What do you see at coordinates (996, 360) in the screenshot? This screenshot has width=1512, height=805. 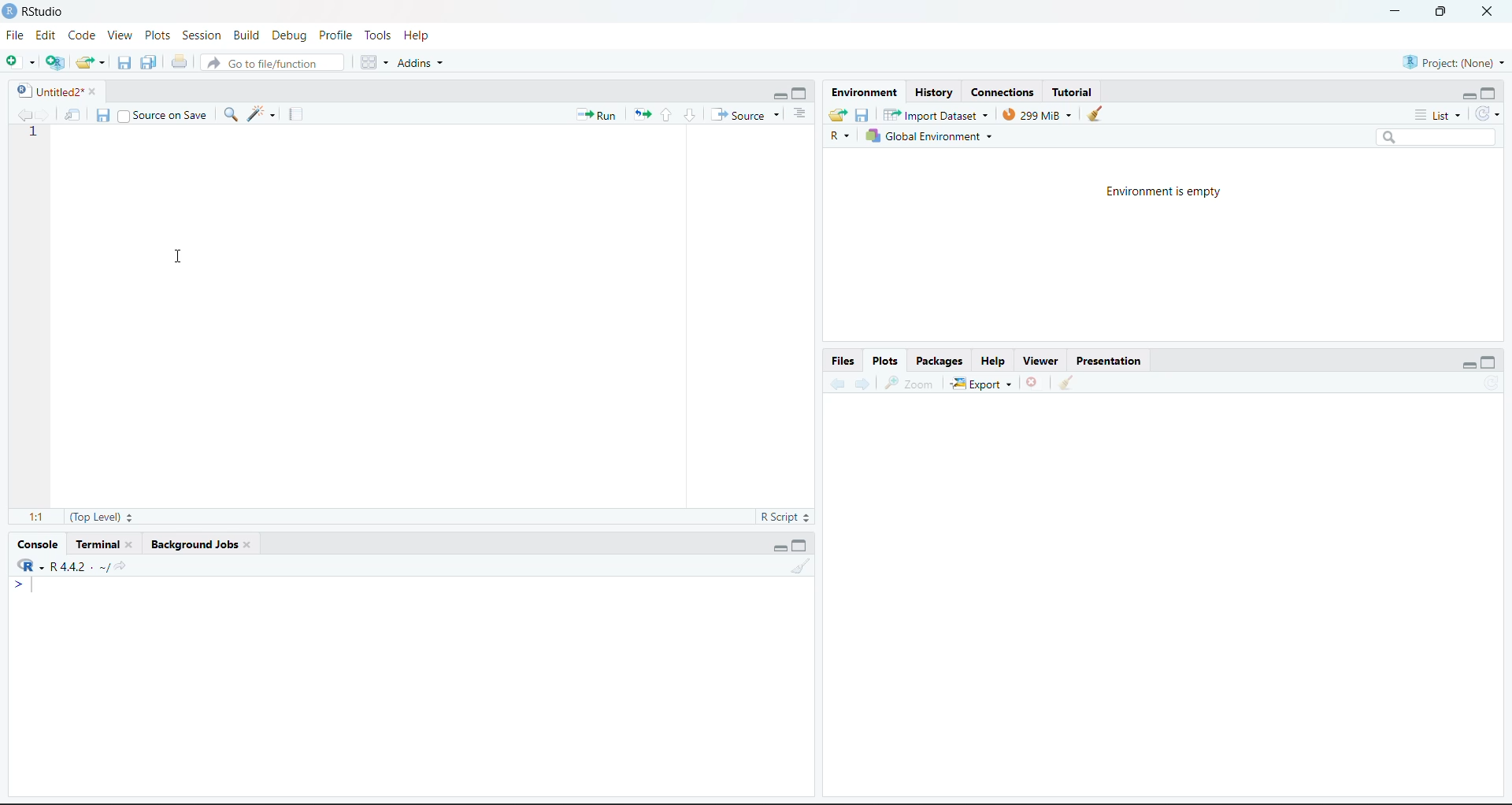 I see `Help` at bounding box center [996, 360].